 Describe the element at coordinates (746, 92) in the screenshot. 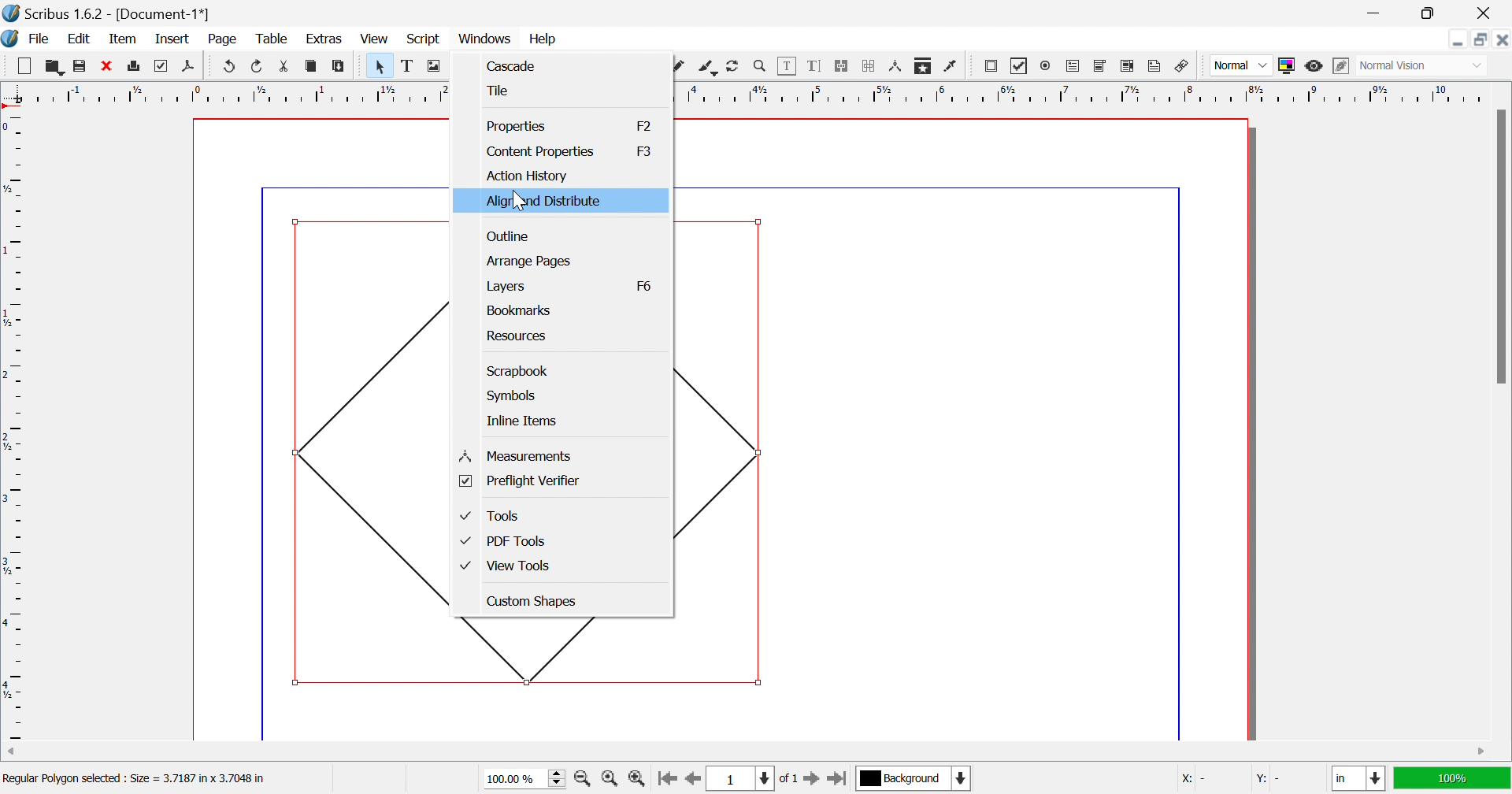

I see `Ruler` at that location.